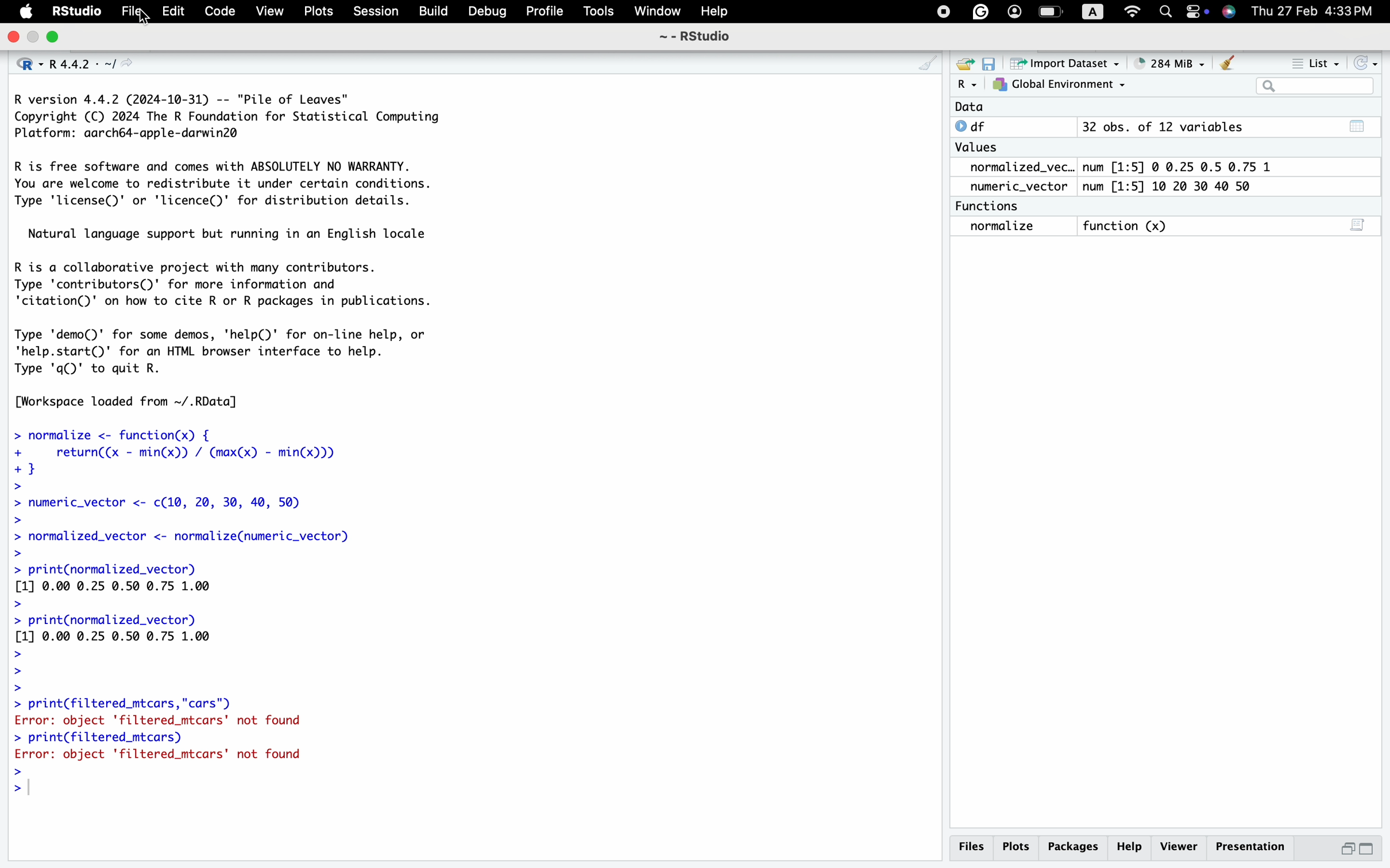 The image size is (1390, 868). What do you see at coordinates (941, 10) in the screenshot?
I see `PAUSE` at bounding box center [941, 10].